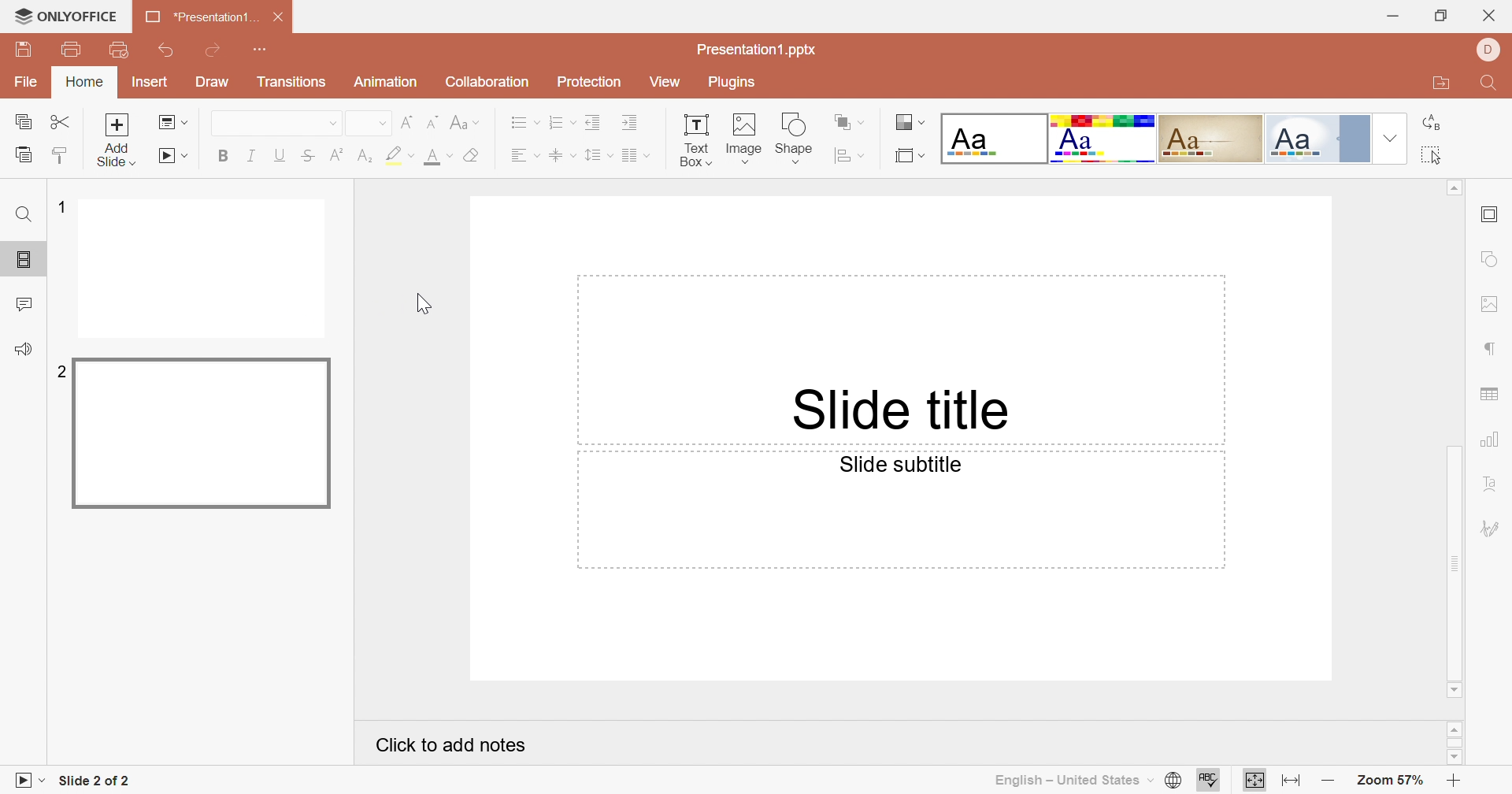 Image resolution: width=1512 pixels, height=794 pixels. I want to click on Textbox, so click(697, 141).